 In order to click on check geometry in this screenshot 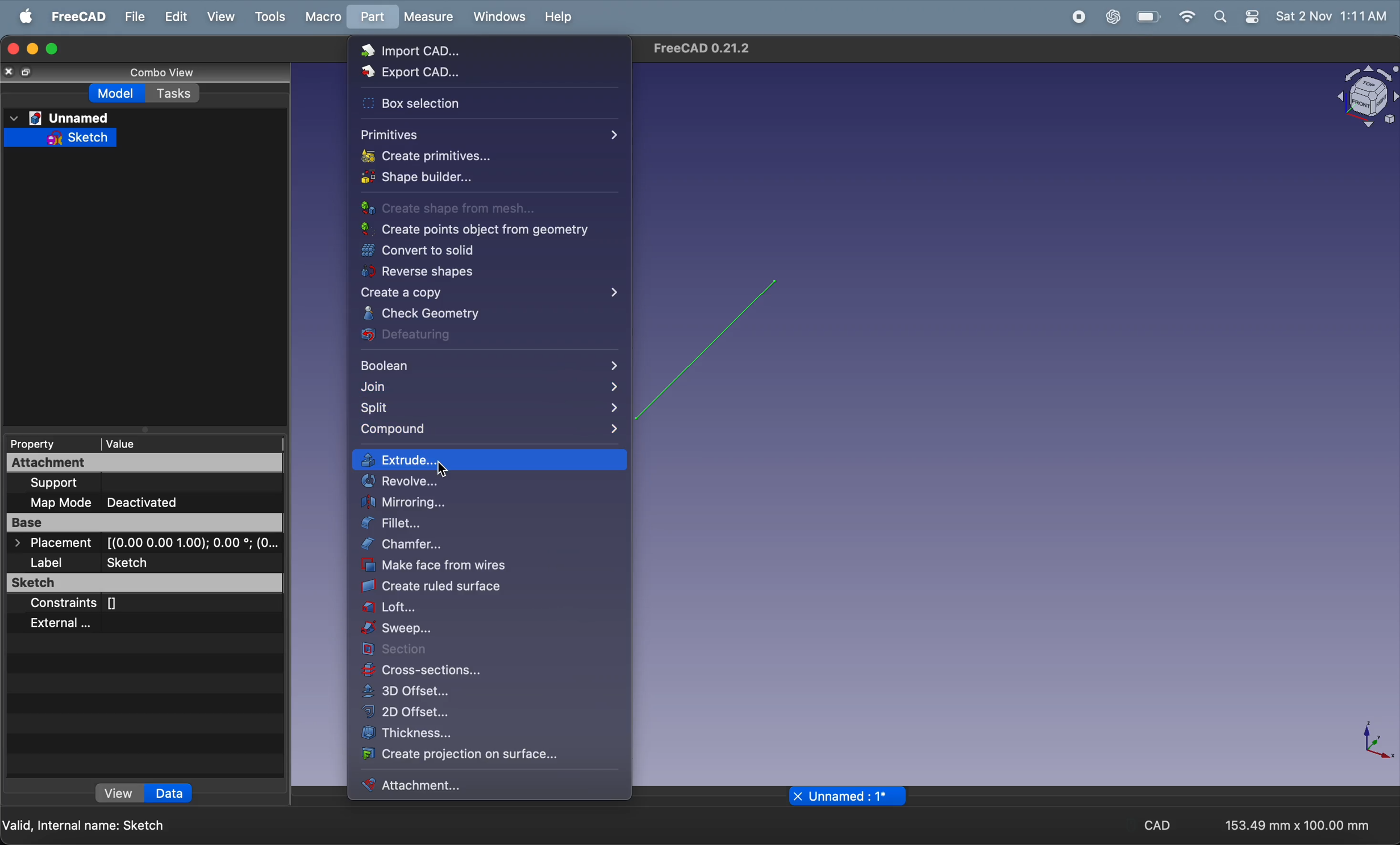, I will do `click(488, 315)`.